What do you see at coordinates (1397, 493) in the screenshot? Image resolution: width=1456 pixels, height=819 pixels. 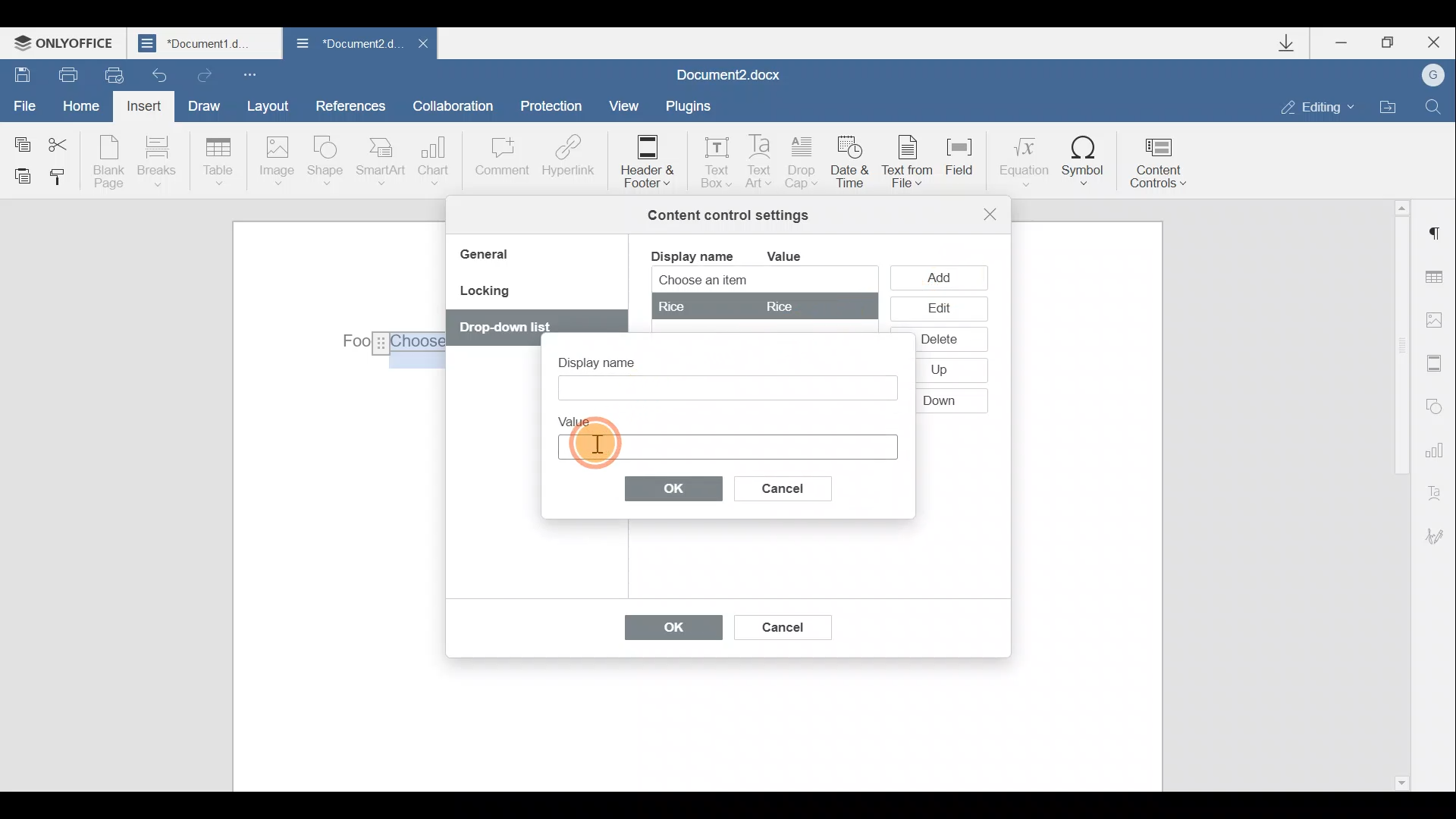 I see `Scroll bar` at bounding box center [1397, 493].